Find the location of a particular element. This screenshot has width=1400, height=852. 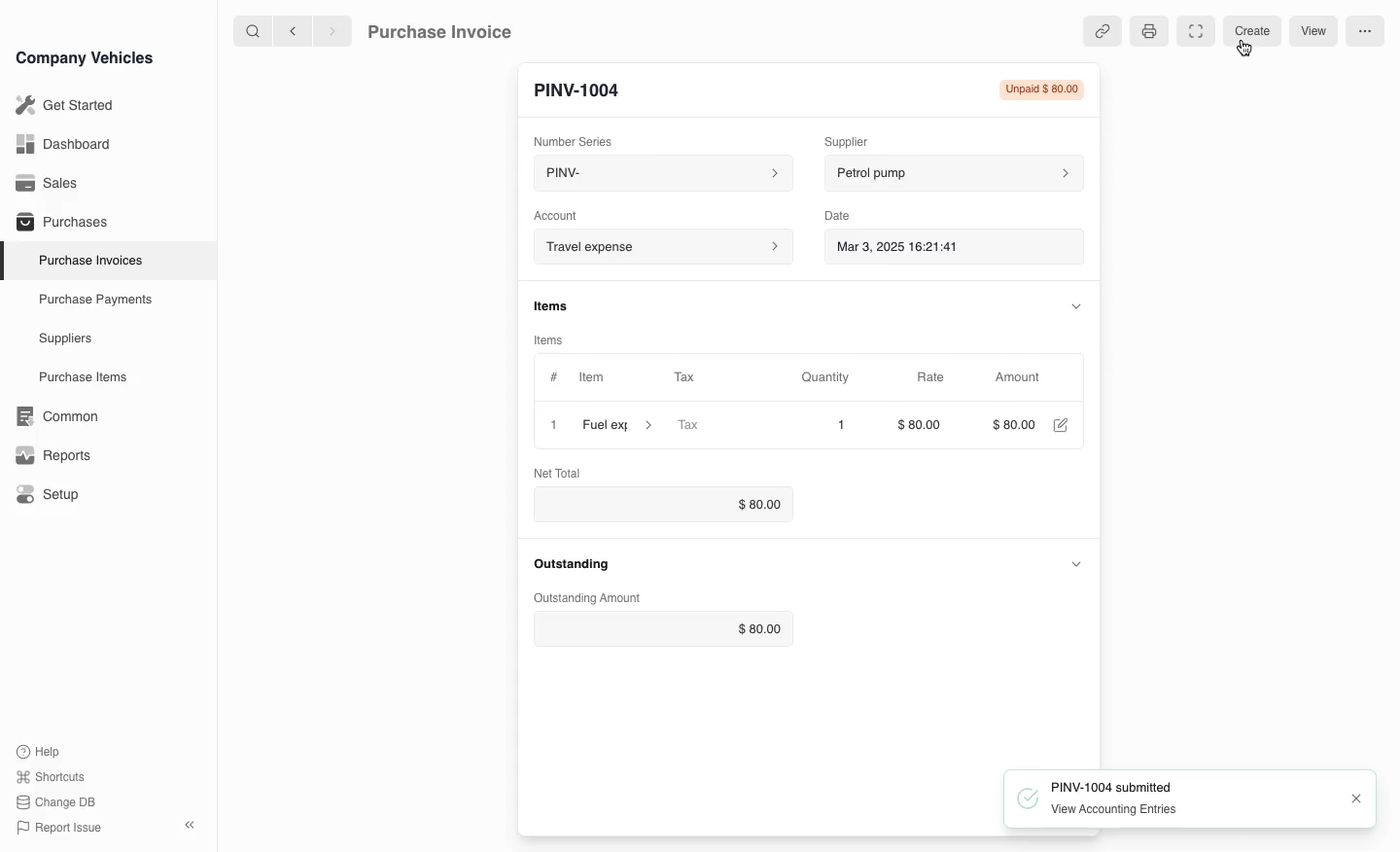

Company Vehicles is located at coordinates (85, 57).